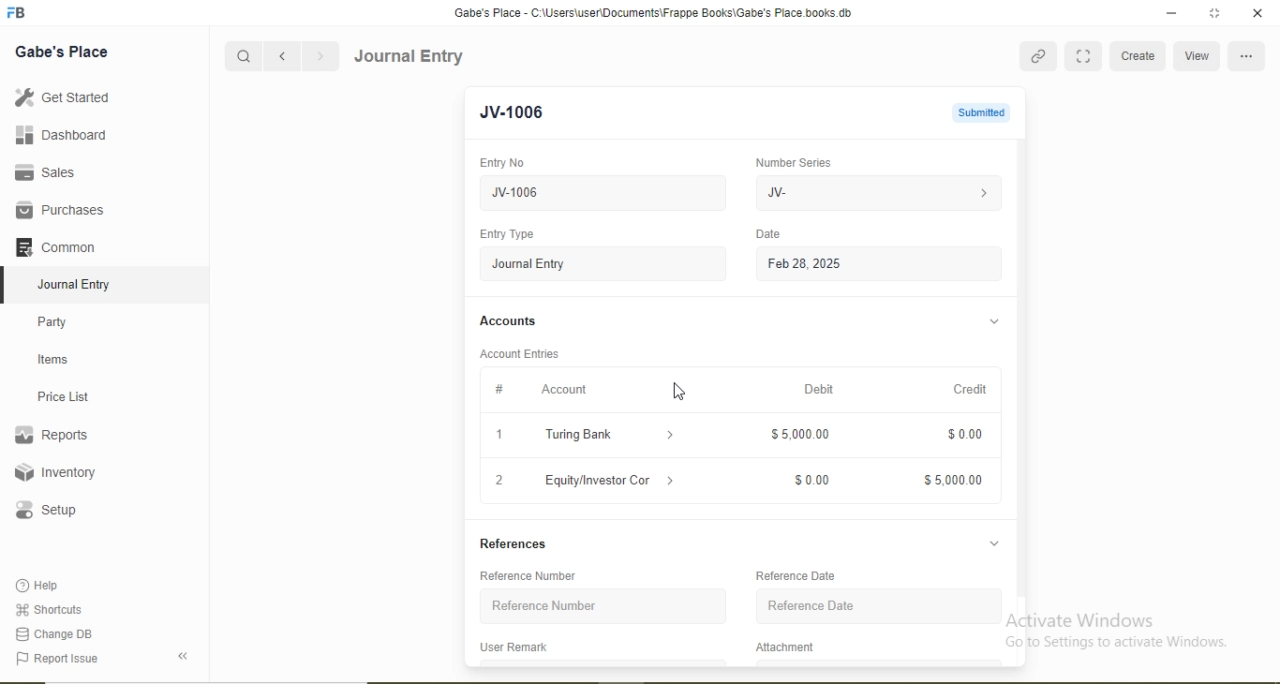 The width and height of the screenshot is (1280, 684). I want to click on Help, so click(39, 585).